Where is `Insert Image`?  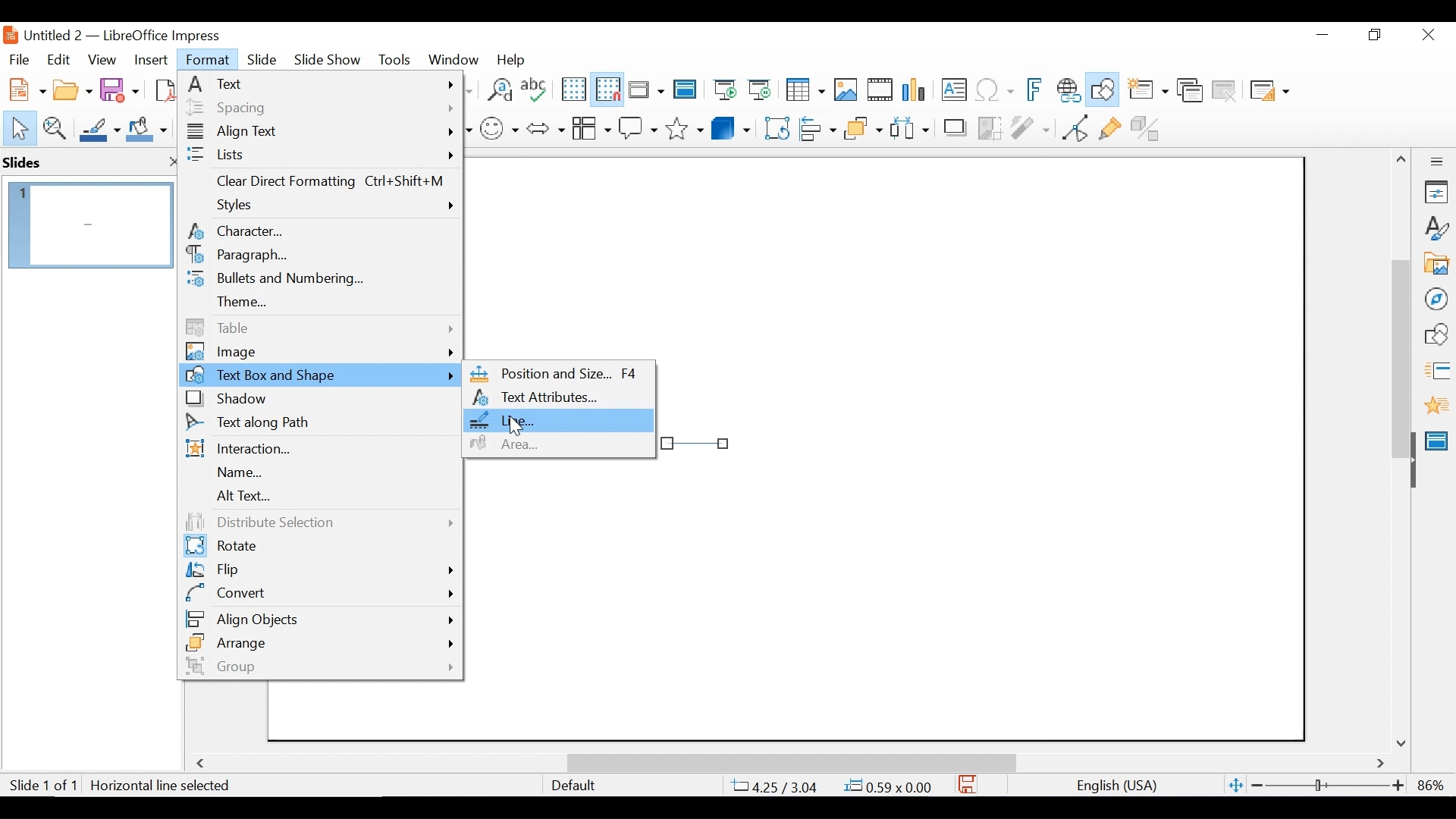
Insert Image is located at coordinates (845, 90).